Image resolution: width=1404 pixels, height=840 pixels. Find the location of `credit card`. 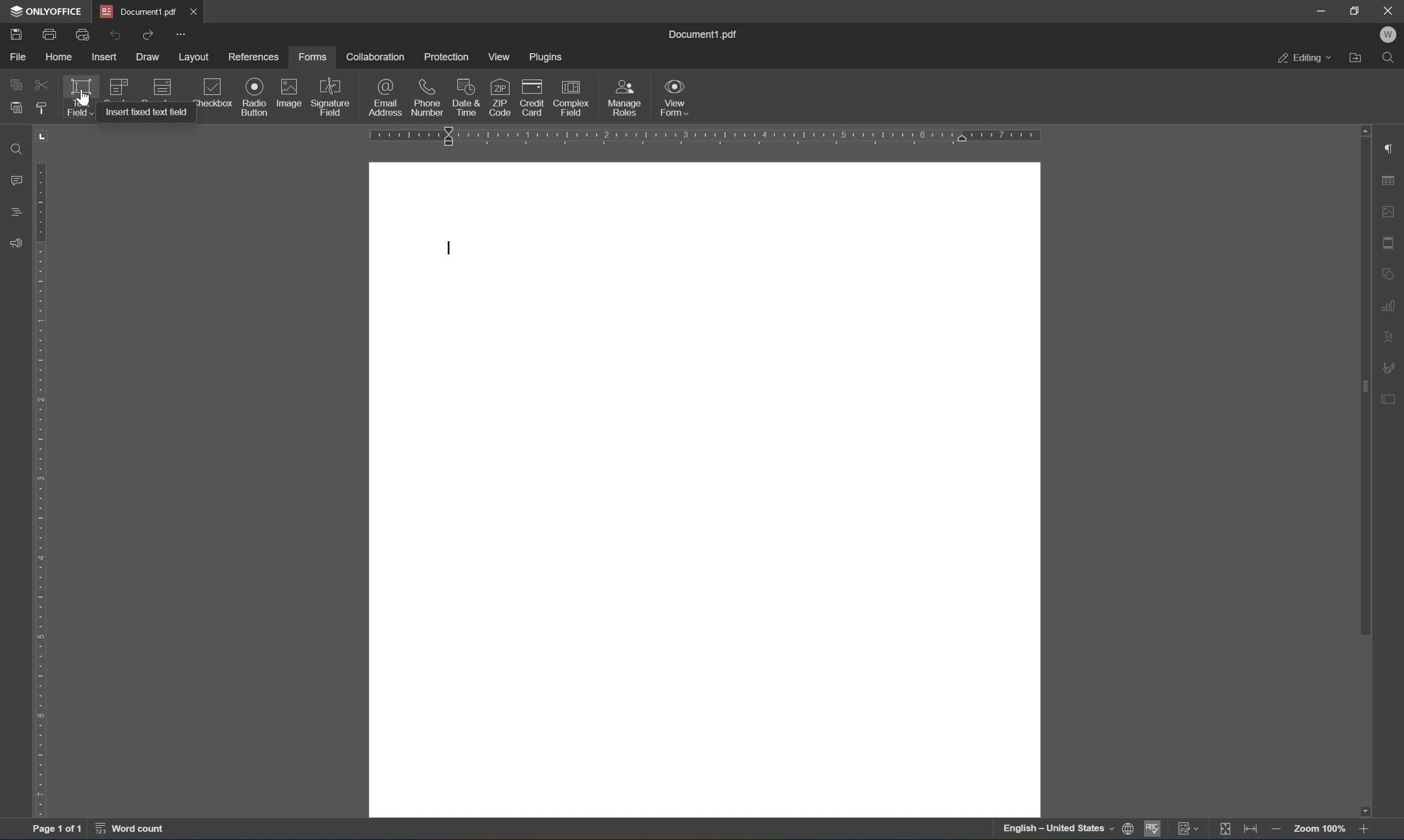

credit card is located at coordinates (533, 96).